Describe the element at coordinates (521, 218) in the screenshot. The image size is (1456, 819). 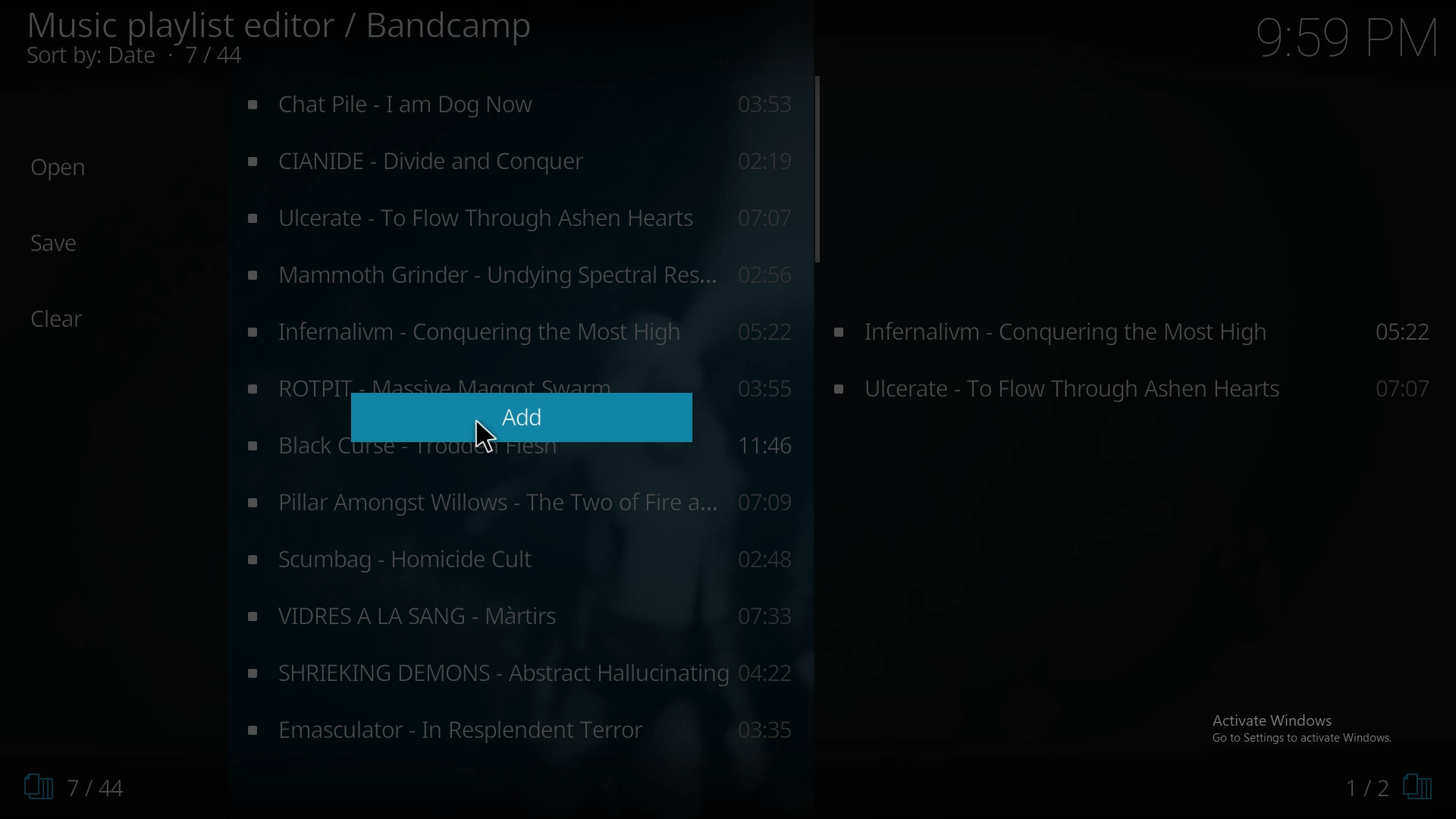
I see `music` at that location.